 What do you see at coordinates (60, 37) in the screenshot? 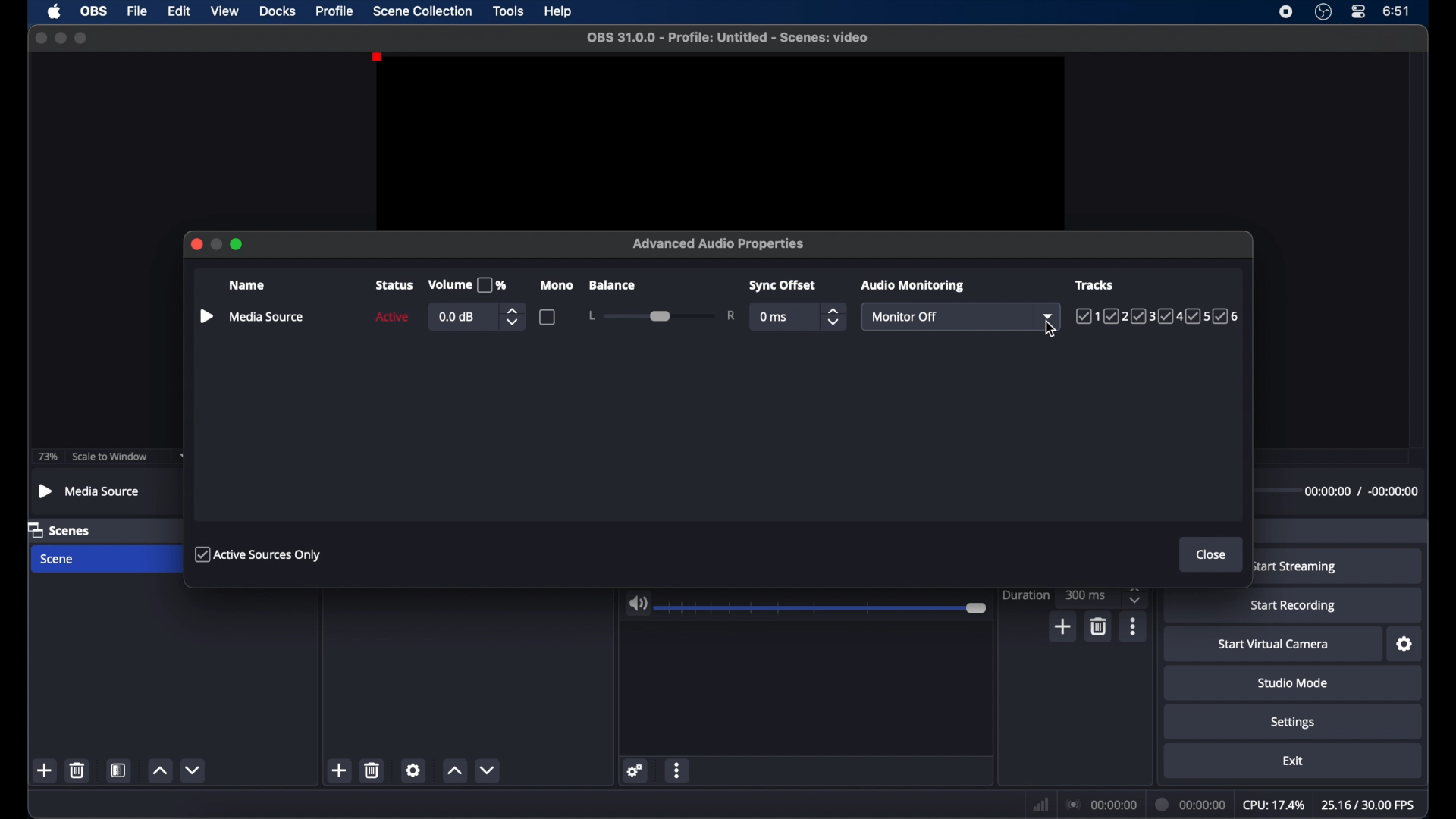
I see `minimize` at bounding box center [60, 37].